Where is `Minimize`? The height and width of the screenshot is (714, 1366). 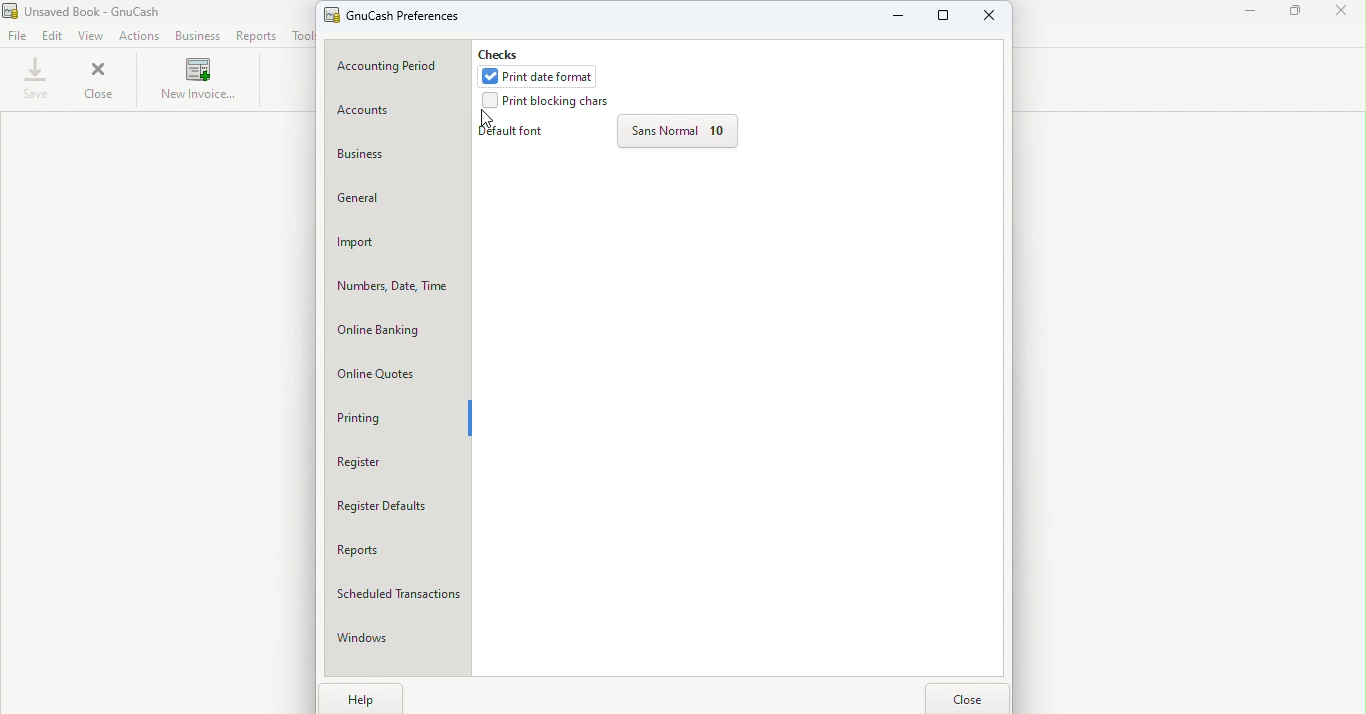
Minimize is located at coordinates (1247, 16).